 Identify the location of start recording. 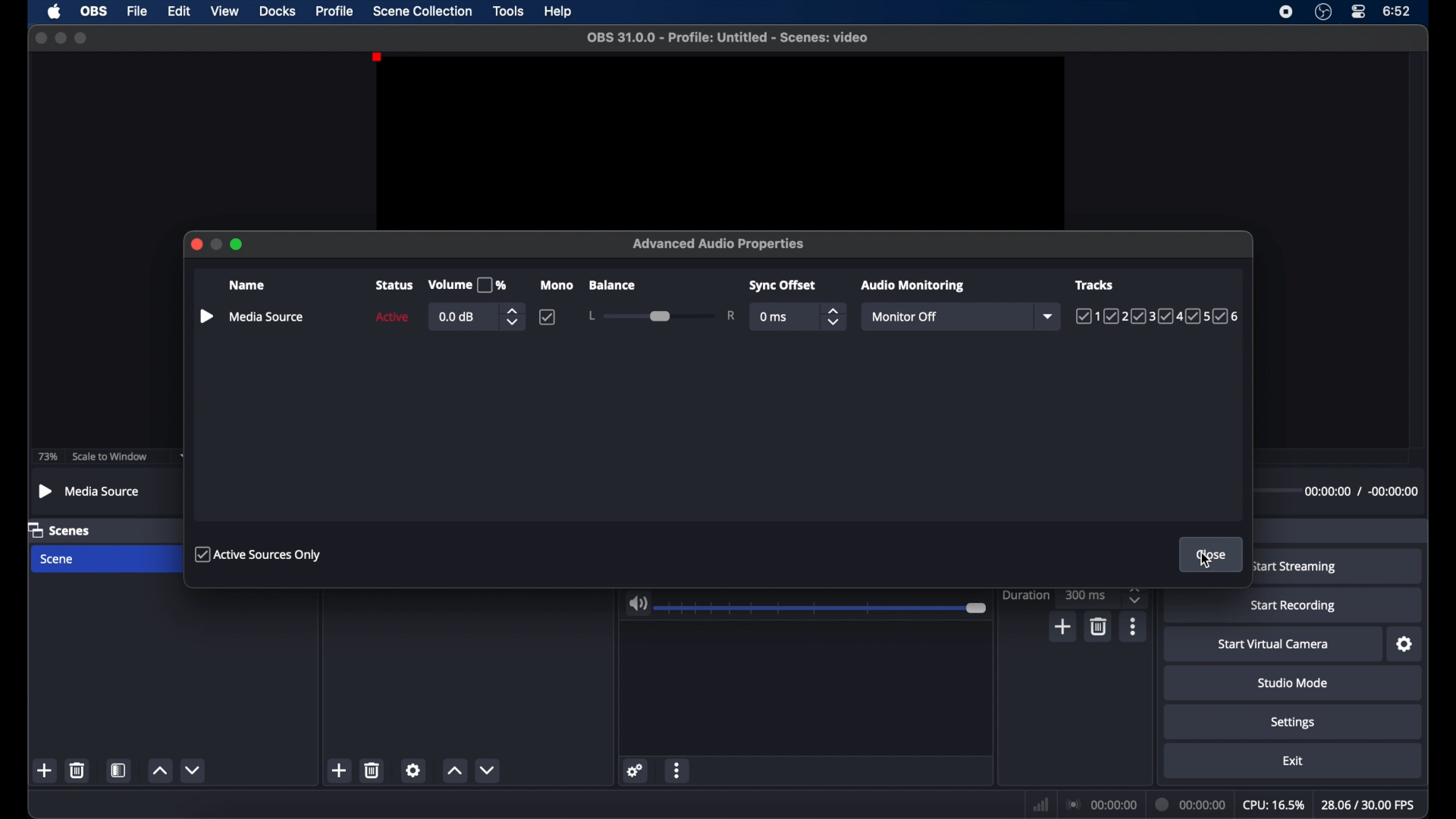
(1294, 606).